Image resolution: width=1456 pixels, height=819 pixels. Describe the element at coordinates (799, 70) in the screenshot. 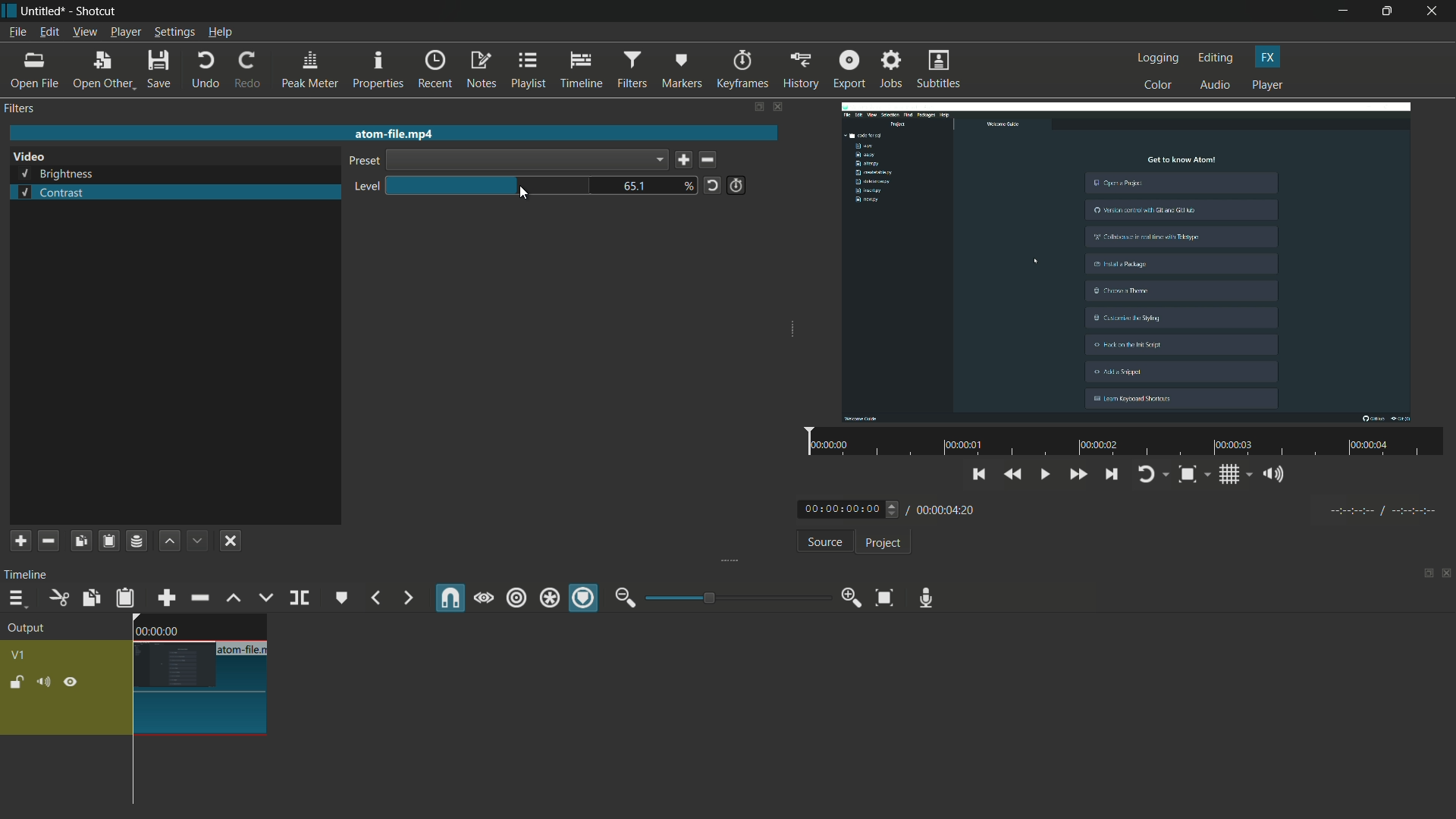

I see `history` at that location.